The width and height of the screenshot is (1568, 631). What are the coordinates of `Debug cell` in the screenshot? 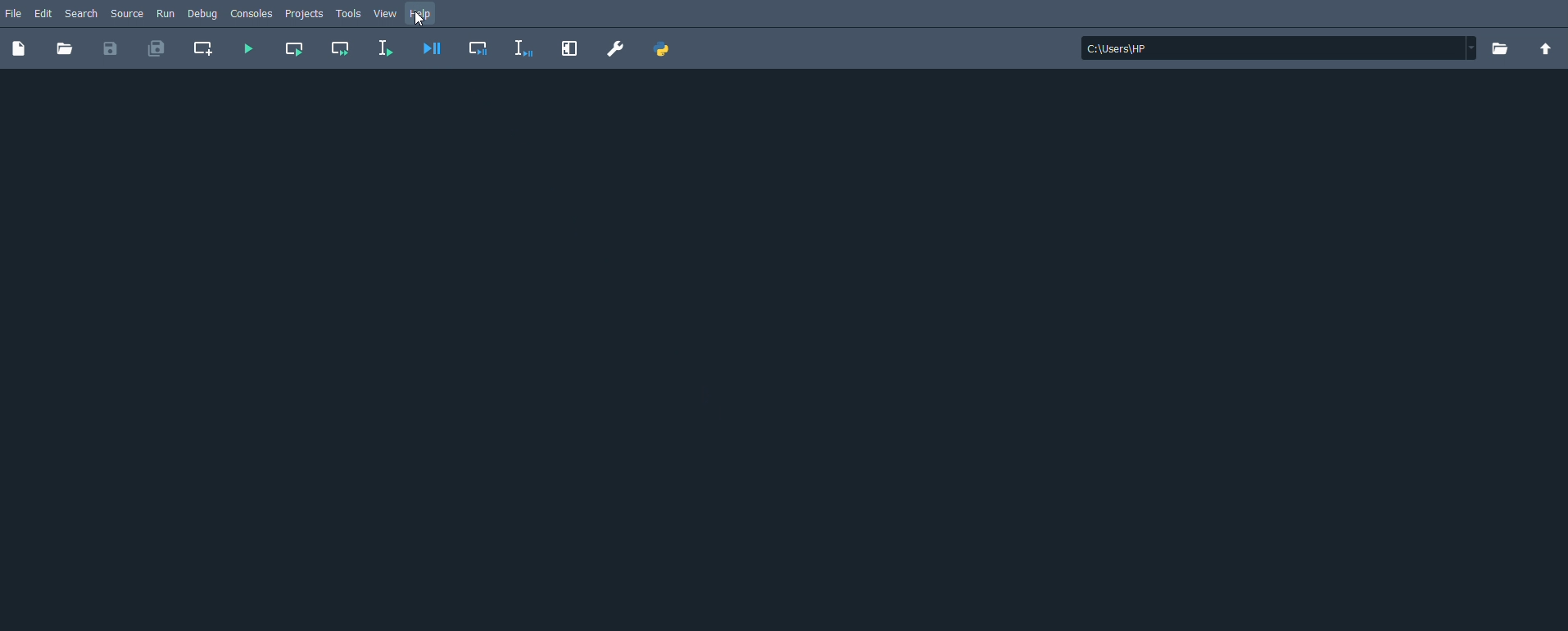 It's located at (477, 48).